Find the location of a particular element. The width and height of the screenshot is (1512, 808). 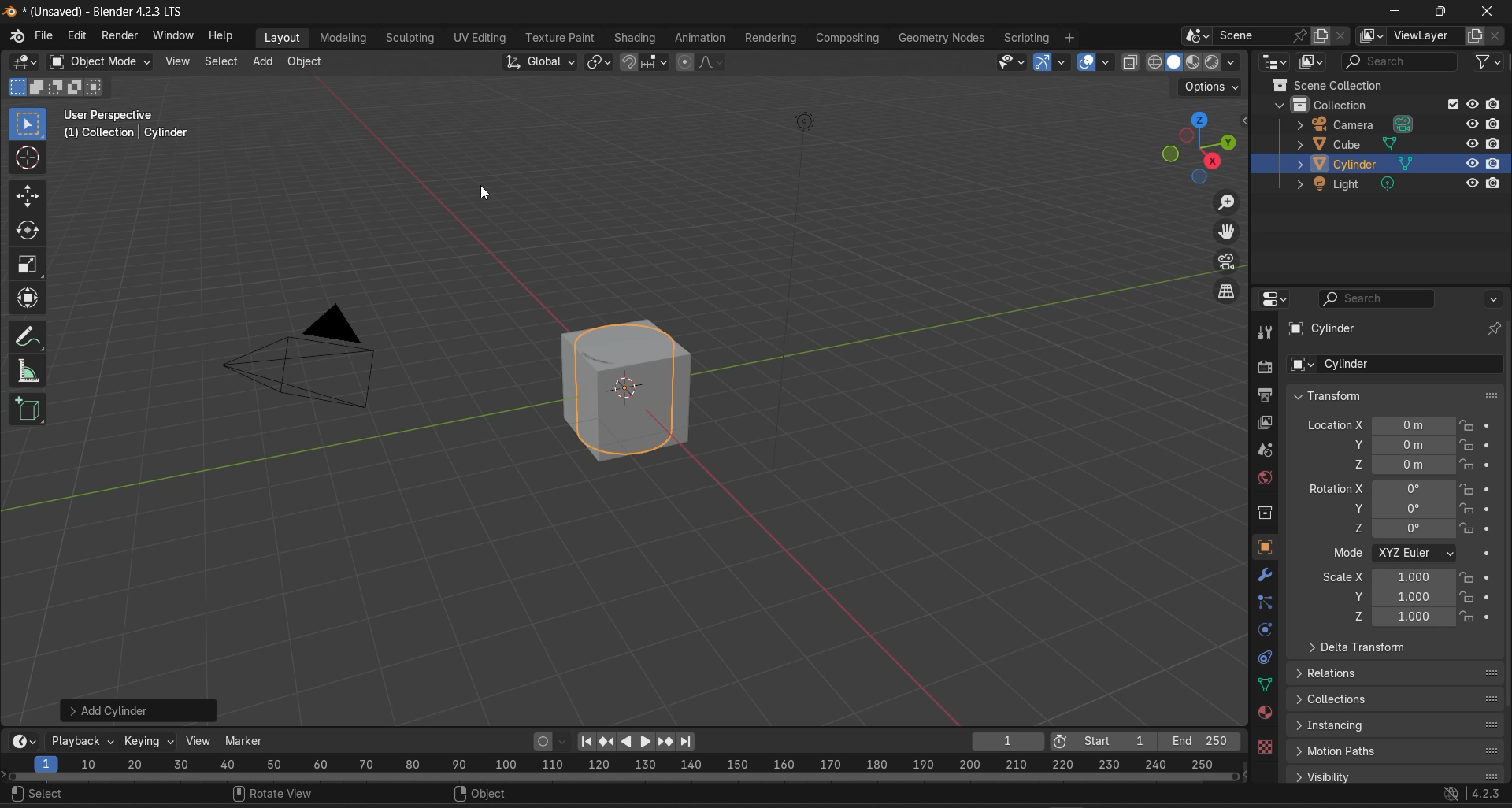

sculpting is located at coordinates (407, 37).